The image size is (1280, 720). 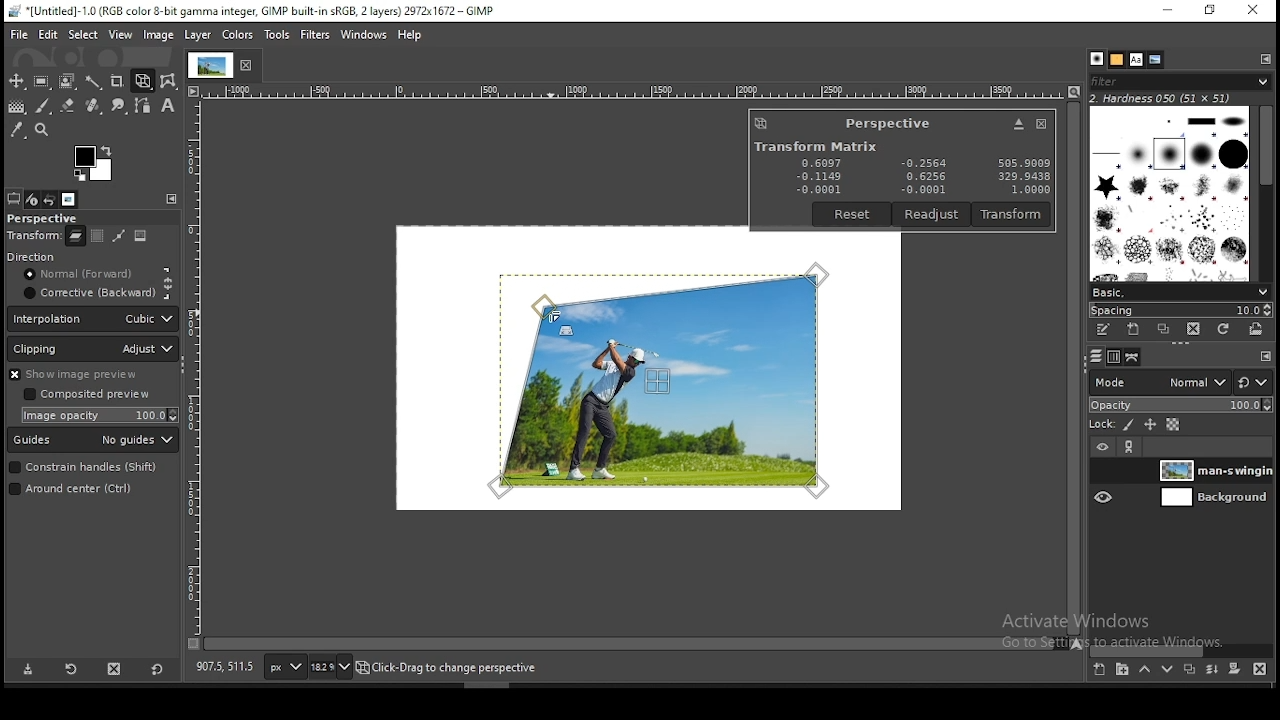 What do you see at coordinates (87, 277) in the screenshot?
I see `normal (forward)` at bounding box center [87, 277].